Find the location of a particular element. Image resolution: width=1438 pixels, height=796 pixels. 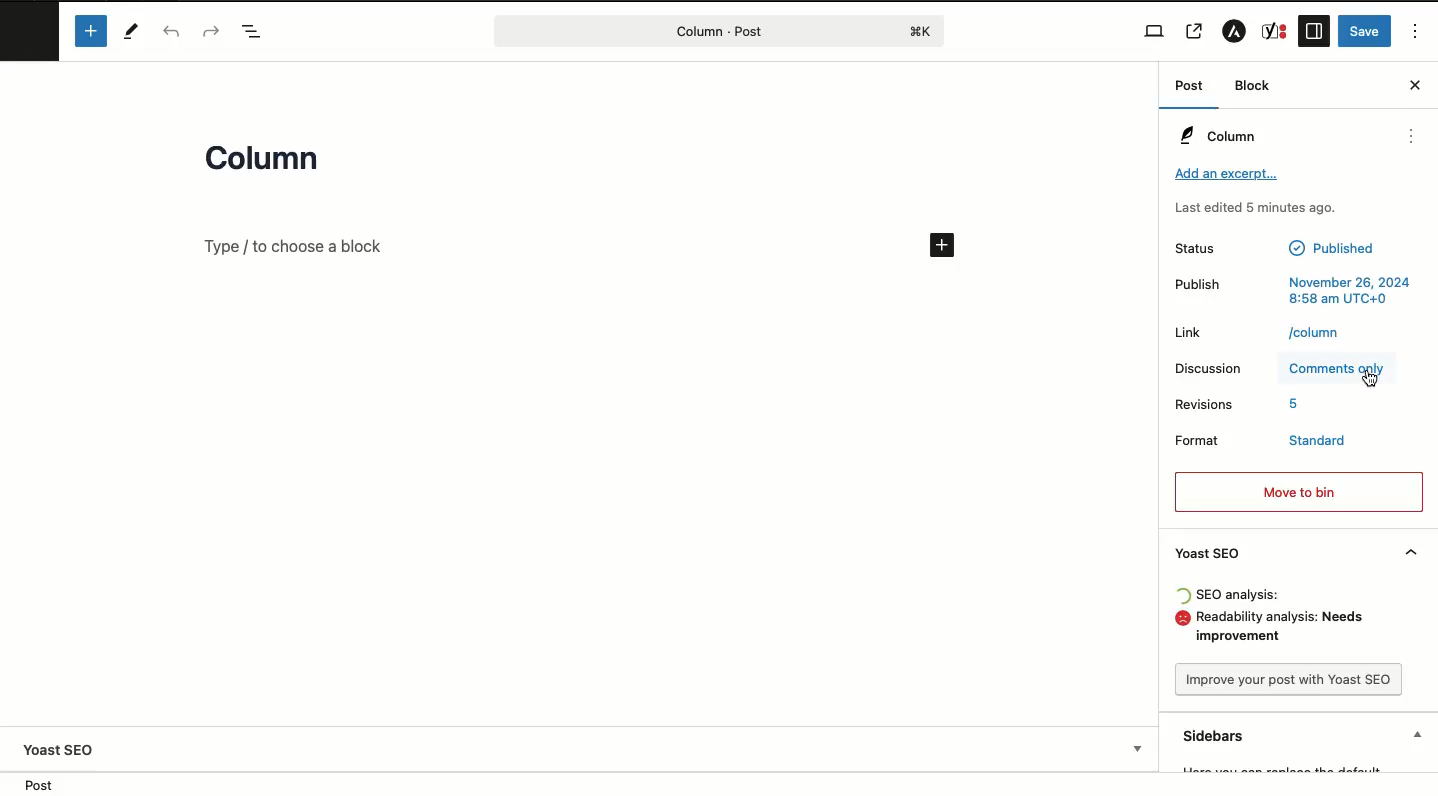

text is located at coordinates (1349, 289).